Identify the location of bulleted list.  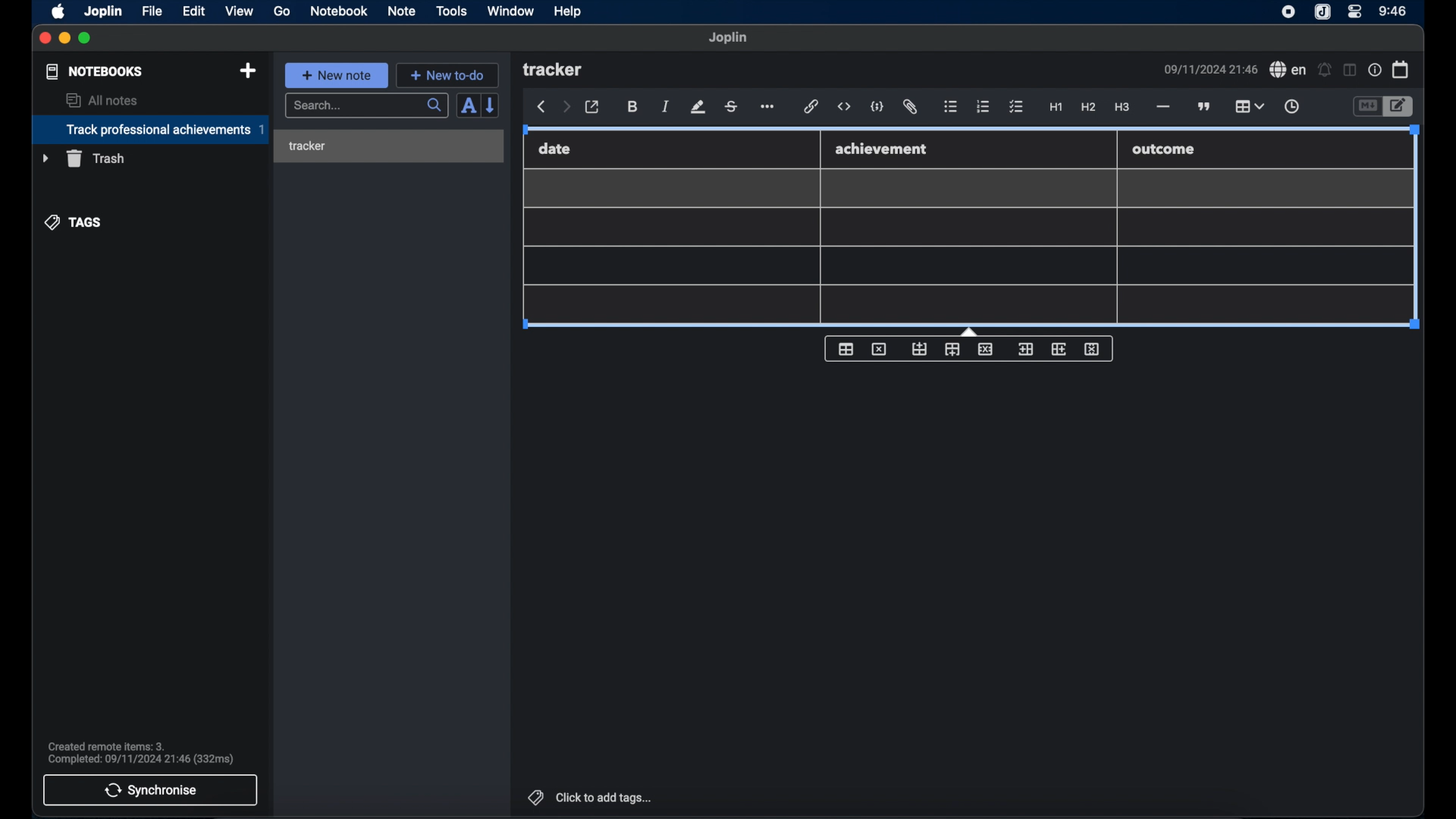
(951, 108).